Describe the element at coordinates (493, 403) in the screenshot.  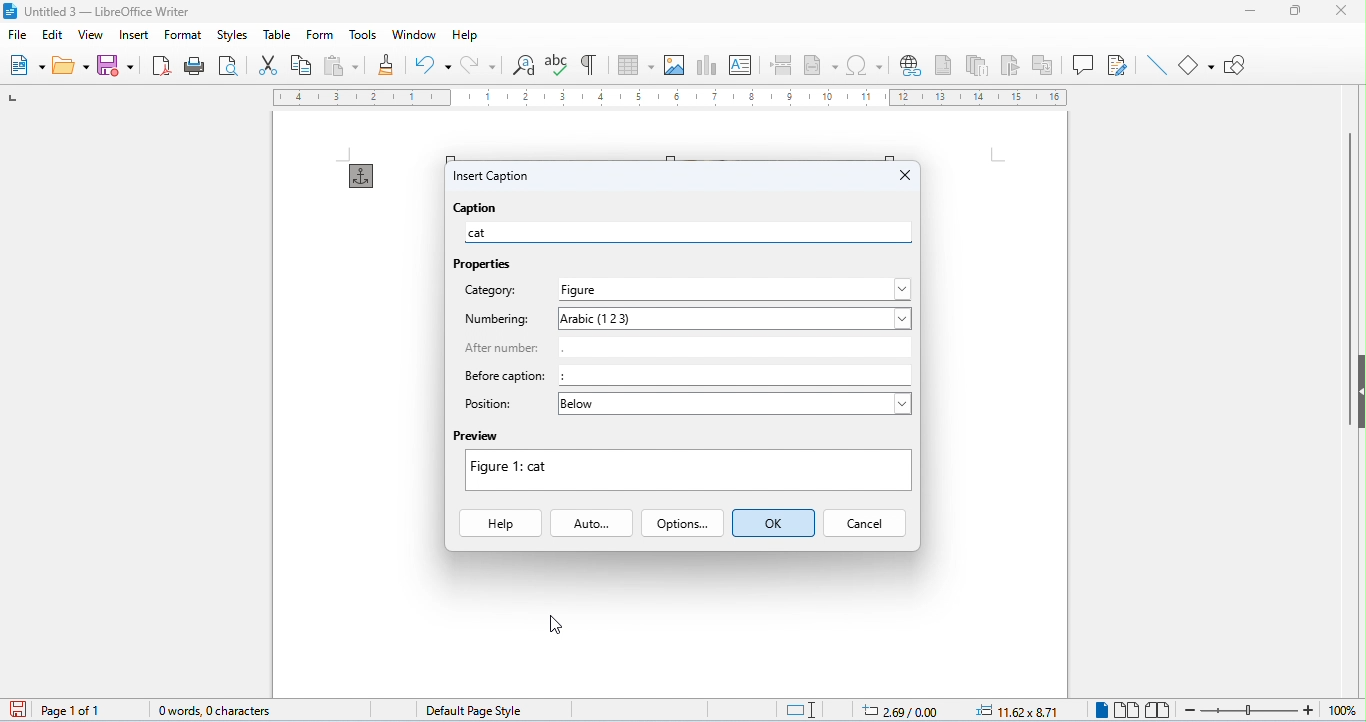
I see `position` at that location.